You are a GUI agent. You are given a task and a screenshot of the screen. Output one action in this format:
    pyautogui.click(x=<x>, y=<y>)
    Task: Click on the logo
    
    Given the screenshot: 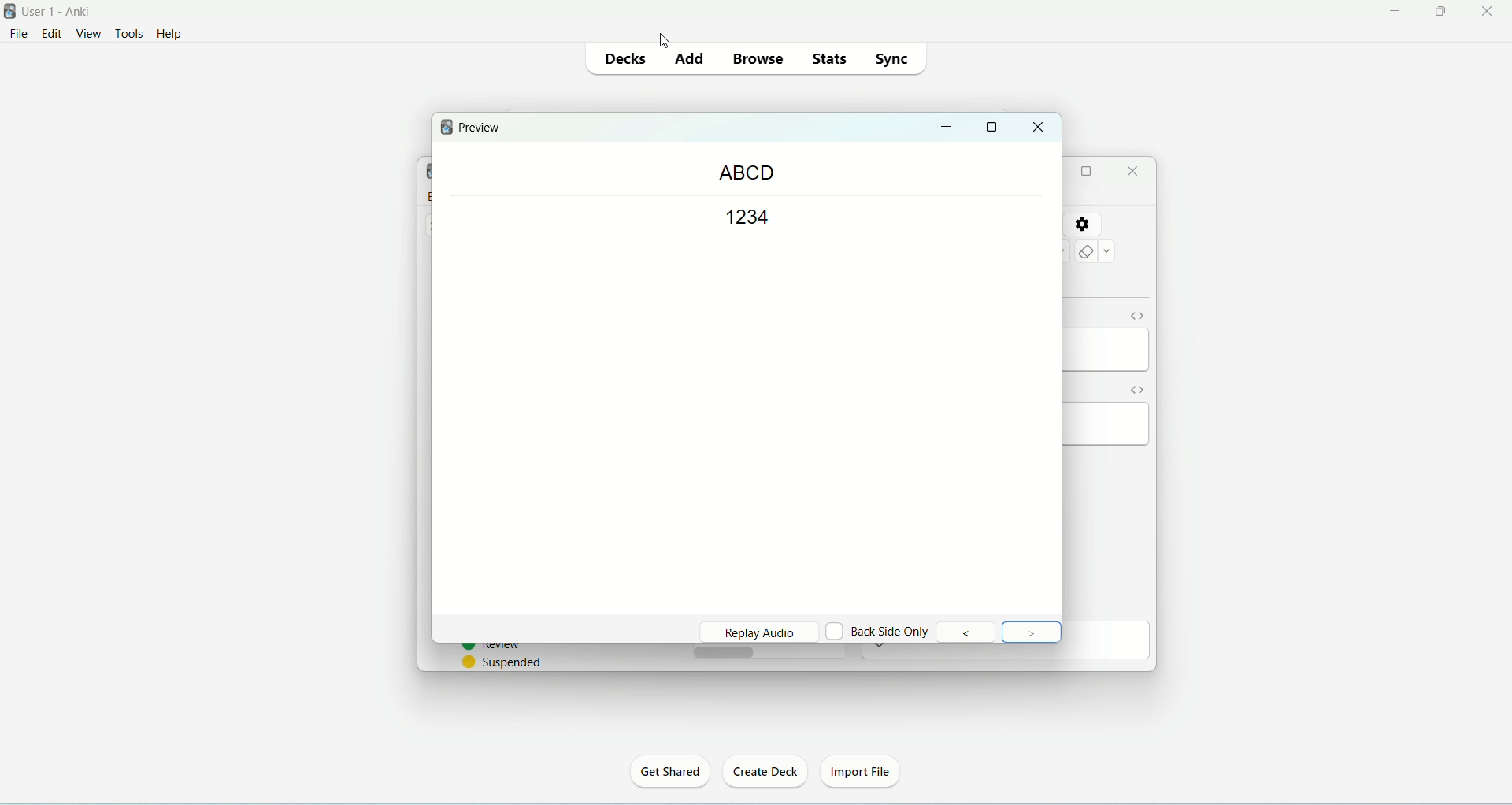 What is the action you would take?
    pyautogui.click(x=448, y=126)
    